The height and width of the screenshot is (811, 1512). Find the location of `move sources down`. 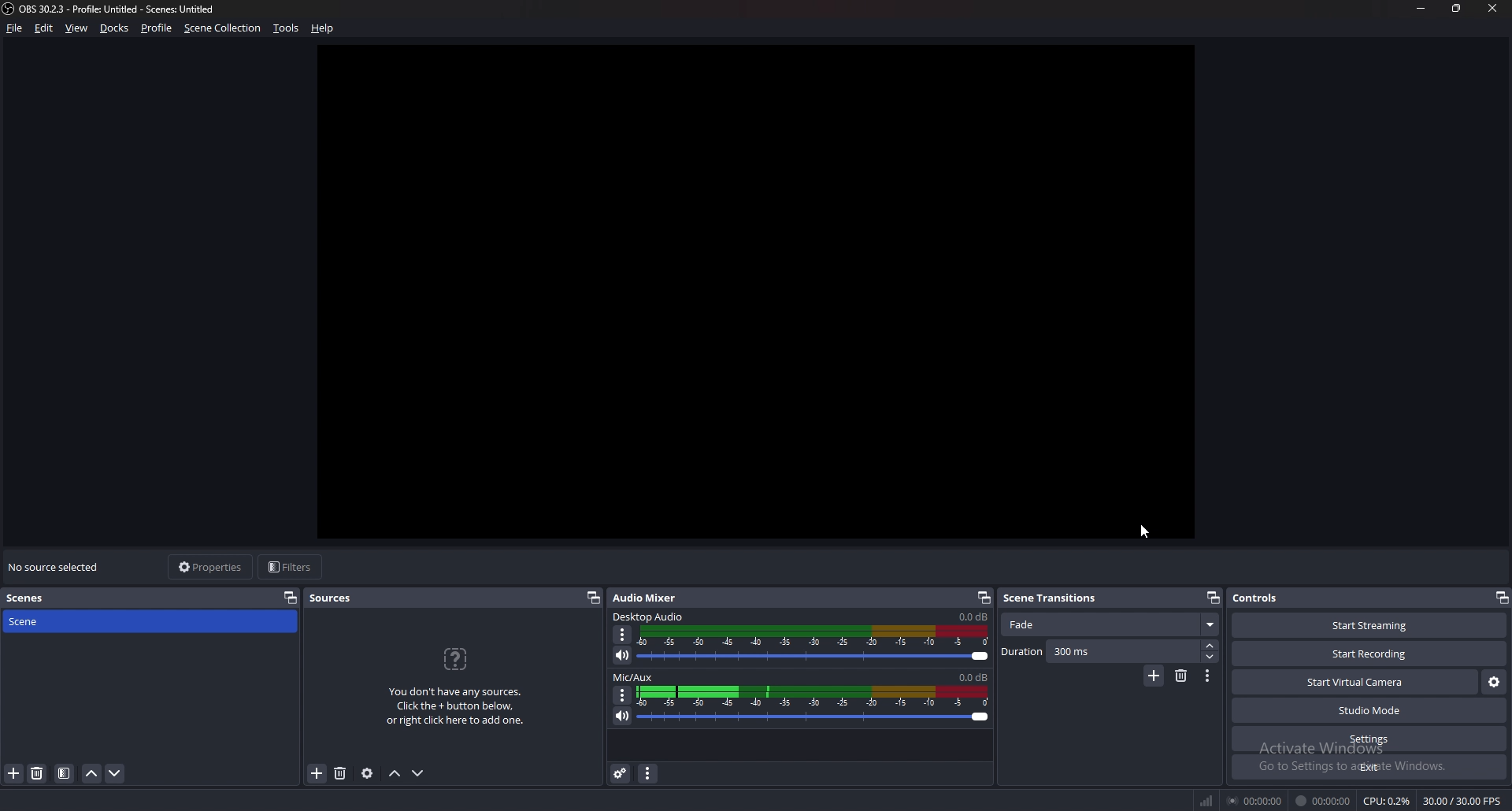

move sources down is located at coordinates (419, 773).